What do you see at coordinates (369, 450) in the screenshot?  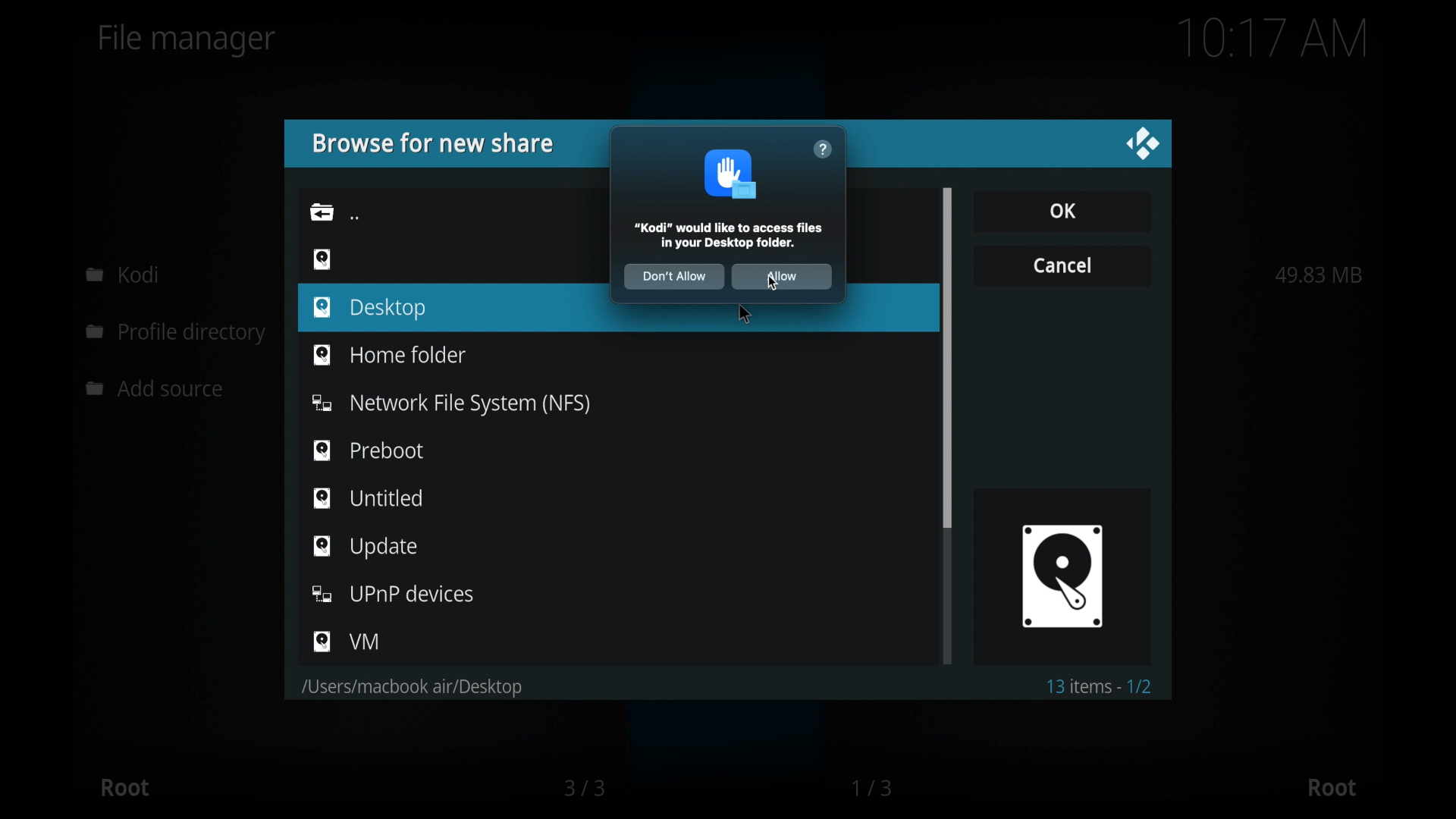 I see `preboot` at bounding box center [369, 450].